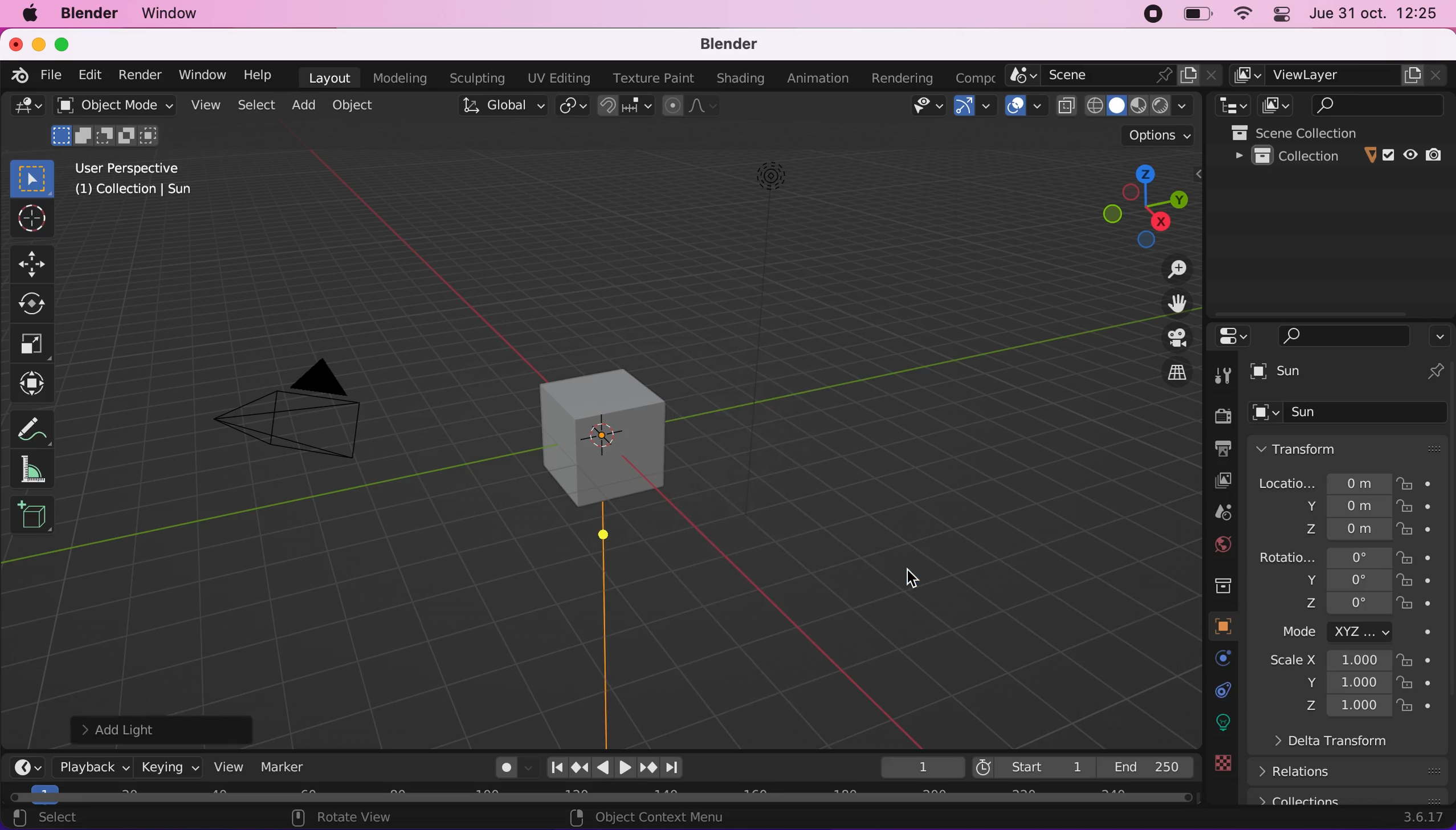 This screenshot has height=830, width=1456. What do you see at coordinates (737, 79) in the screenshot?
I see `shading` at bounding box center [737, 79].